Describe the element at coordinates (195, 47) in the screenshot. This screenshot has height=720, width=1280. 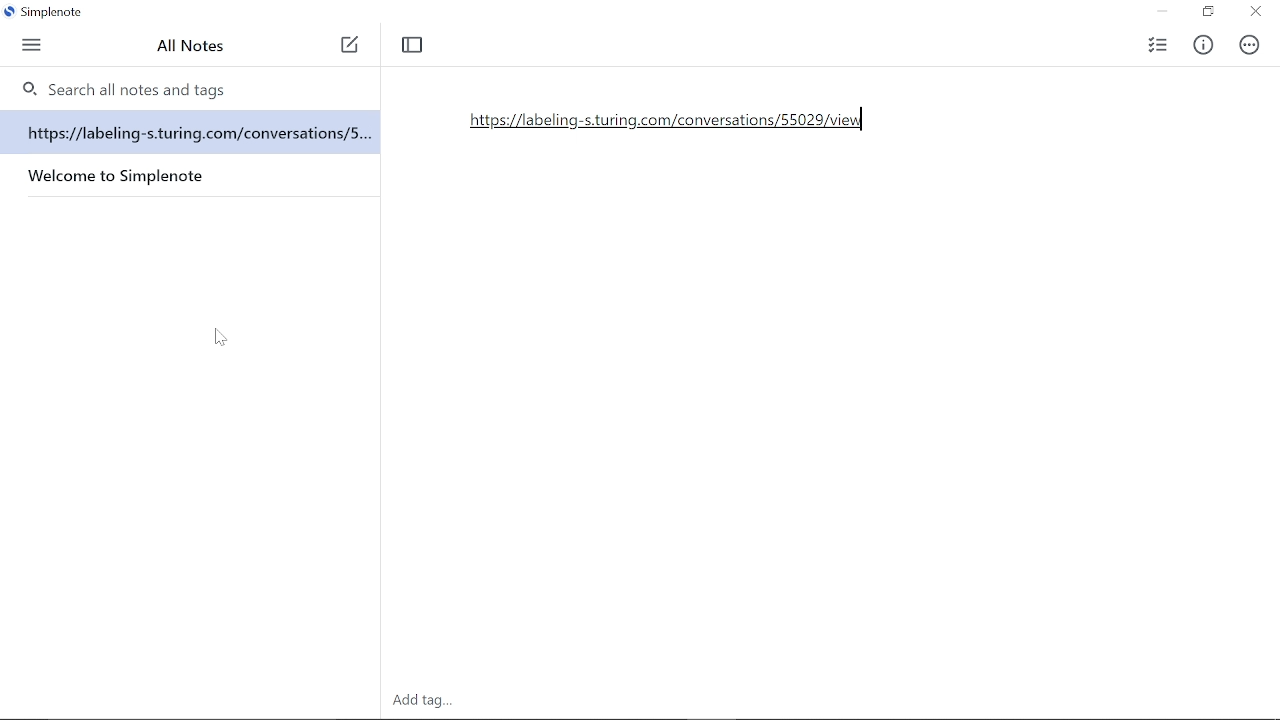
I see `All Notes` at that location.